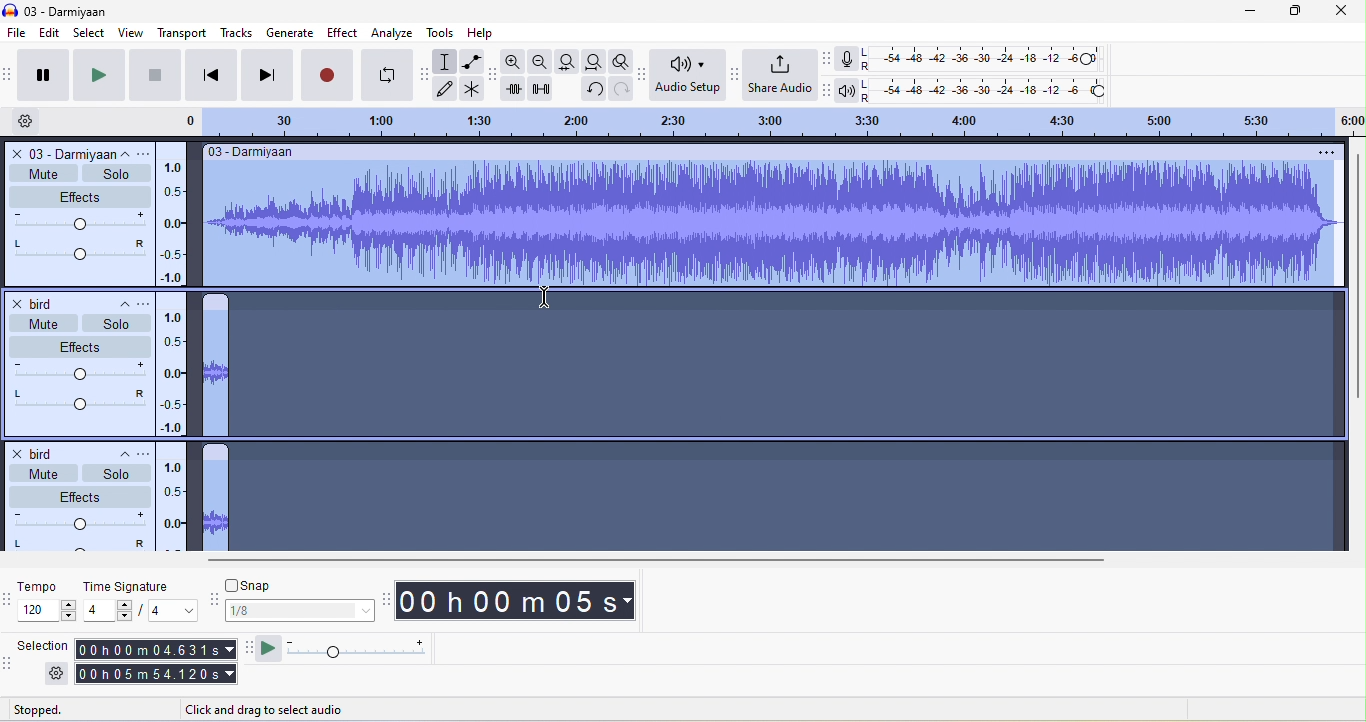 The height and width of the screenshot is (722, 1366). Describe the element at coordinates (291, 31) in the screenshot. I see `generate` at that location.